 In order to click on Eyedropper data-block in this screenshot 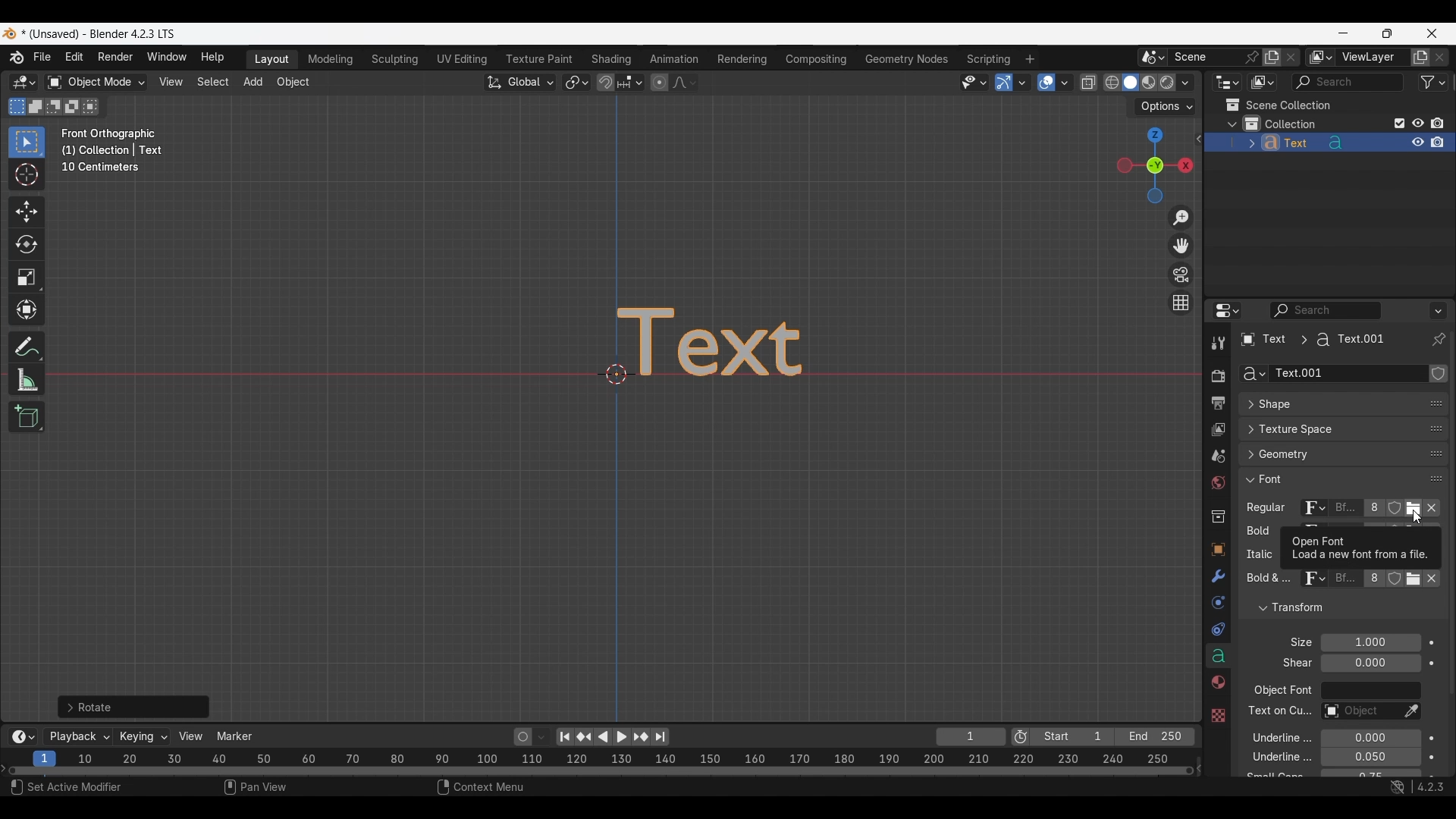, I will do `click(1410, 712)`.